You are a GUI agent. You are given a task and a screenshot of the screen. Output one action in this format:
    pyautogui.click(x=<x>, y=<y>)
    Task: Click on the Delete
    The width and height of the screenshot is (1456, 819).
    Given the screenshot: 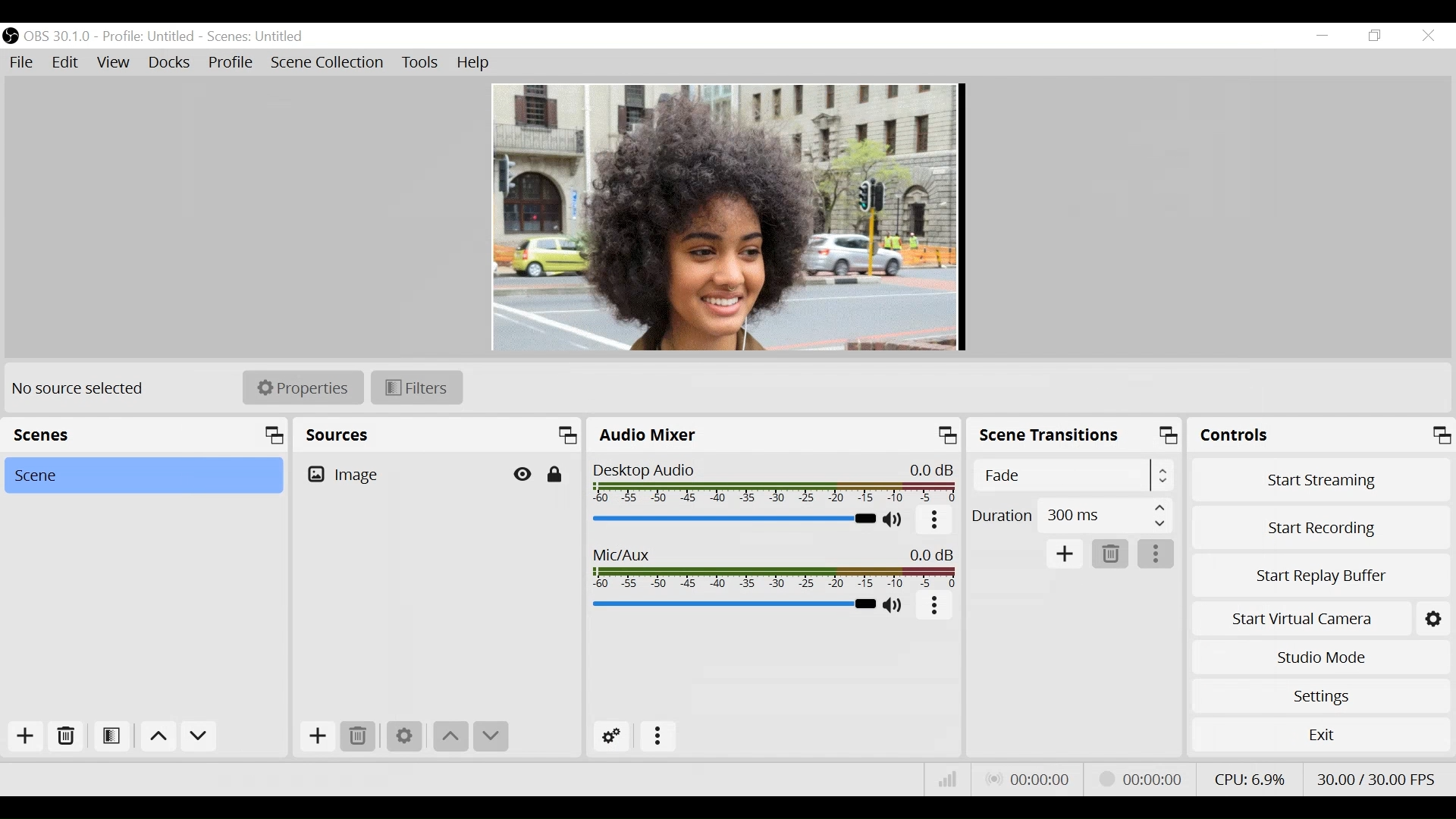 What is the action you would take?
    pyautogui.click(x=67, y=737)
    